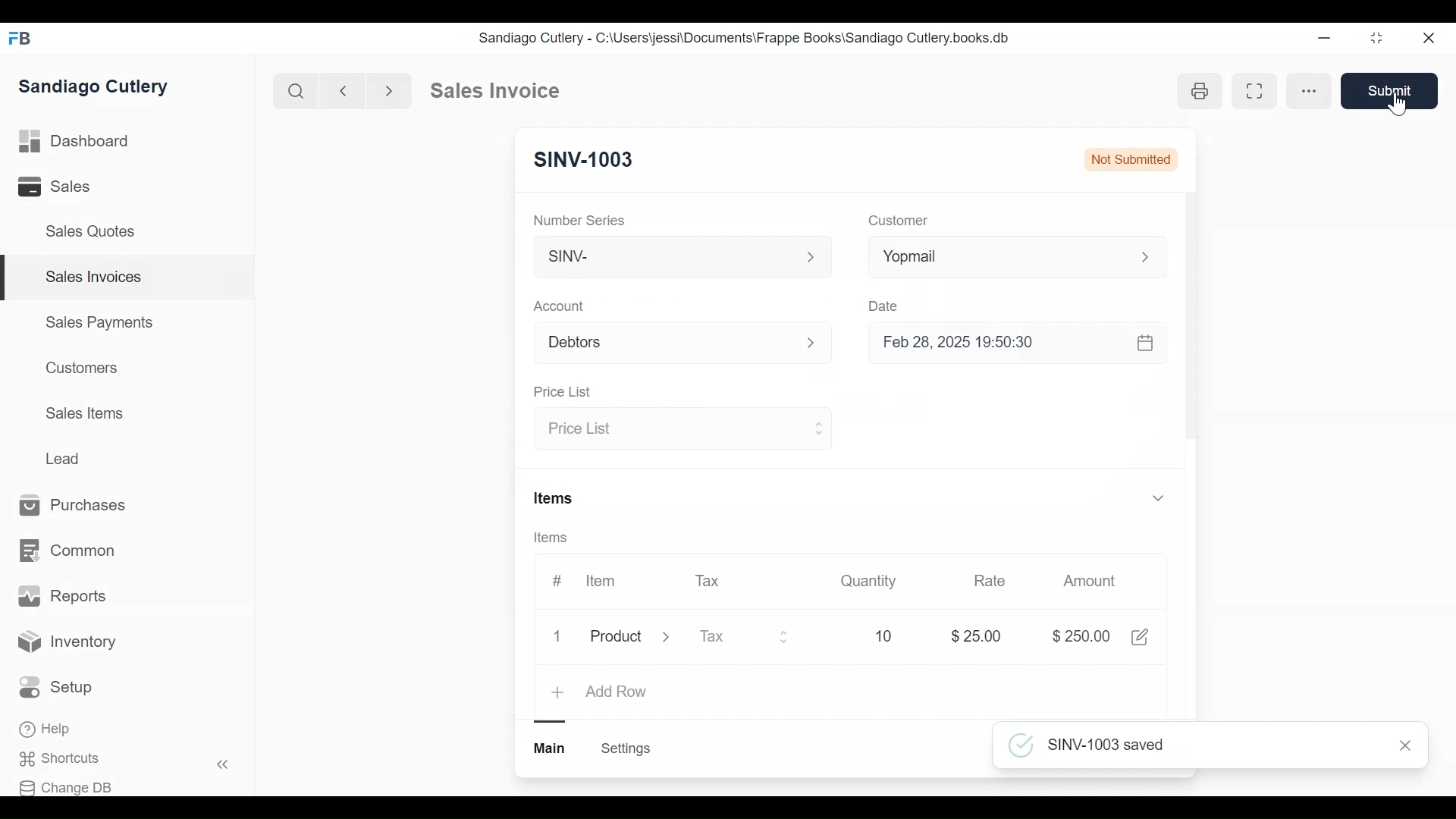  What do you see at coordinates (1376, 37) in the screenshot?
I see `restore` at bounding box center [1376, 37].